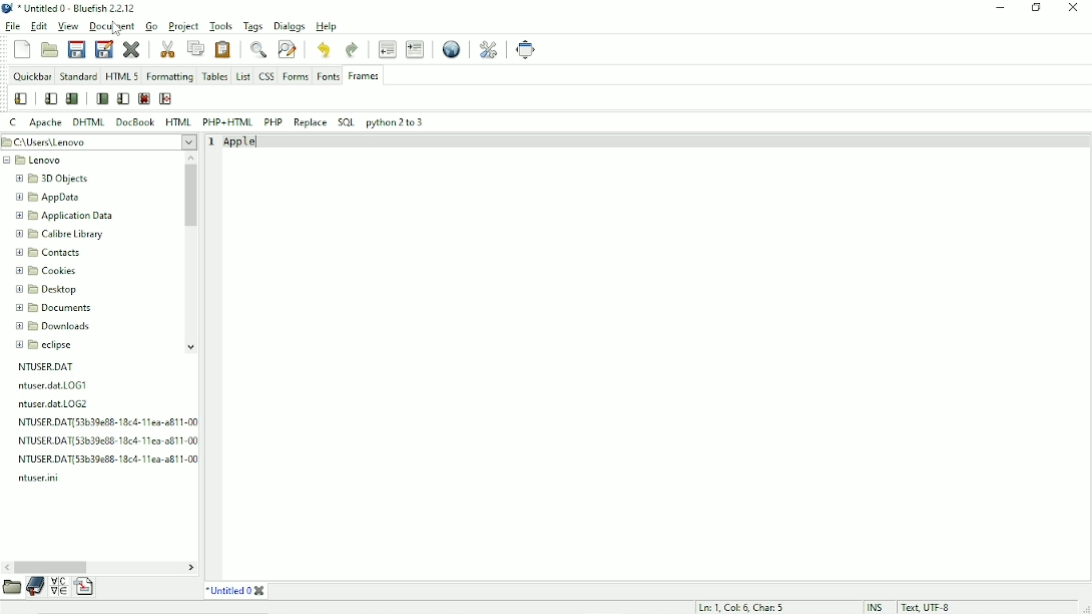  What do you see at coordinates (89, 122) in the screenshot?
I see `DHTML` at bounding box center [89, 122].